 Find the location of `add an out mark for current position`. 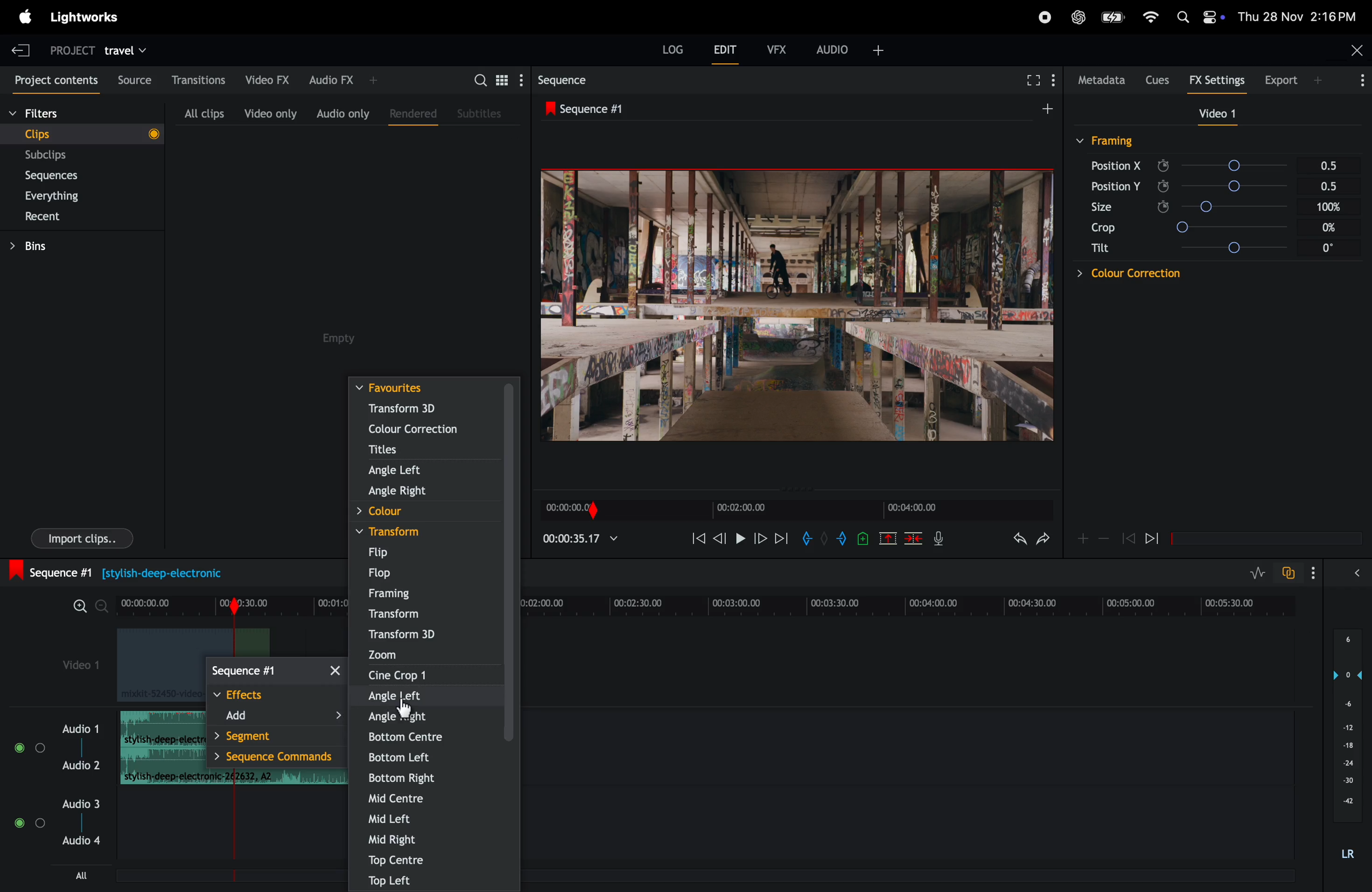

add an out mark for current position is located at coordinates (844, 538).